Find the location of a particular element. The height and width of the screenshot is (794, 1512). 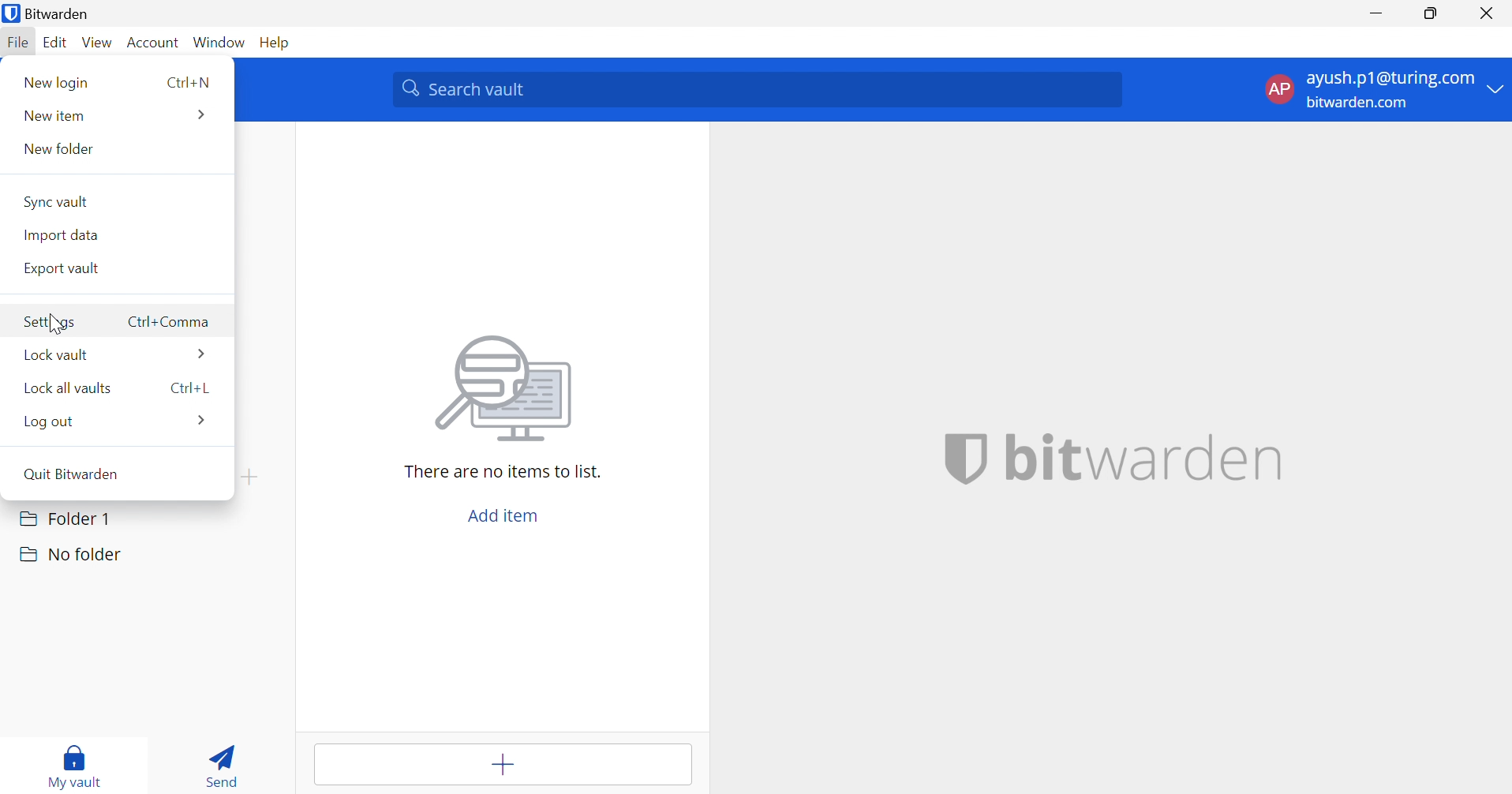

Edit is located at coordinates (56, 44).